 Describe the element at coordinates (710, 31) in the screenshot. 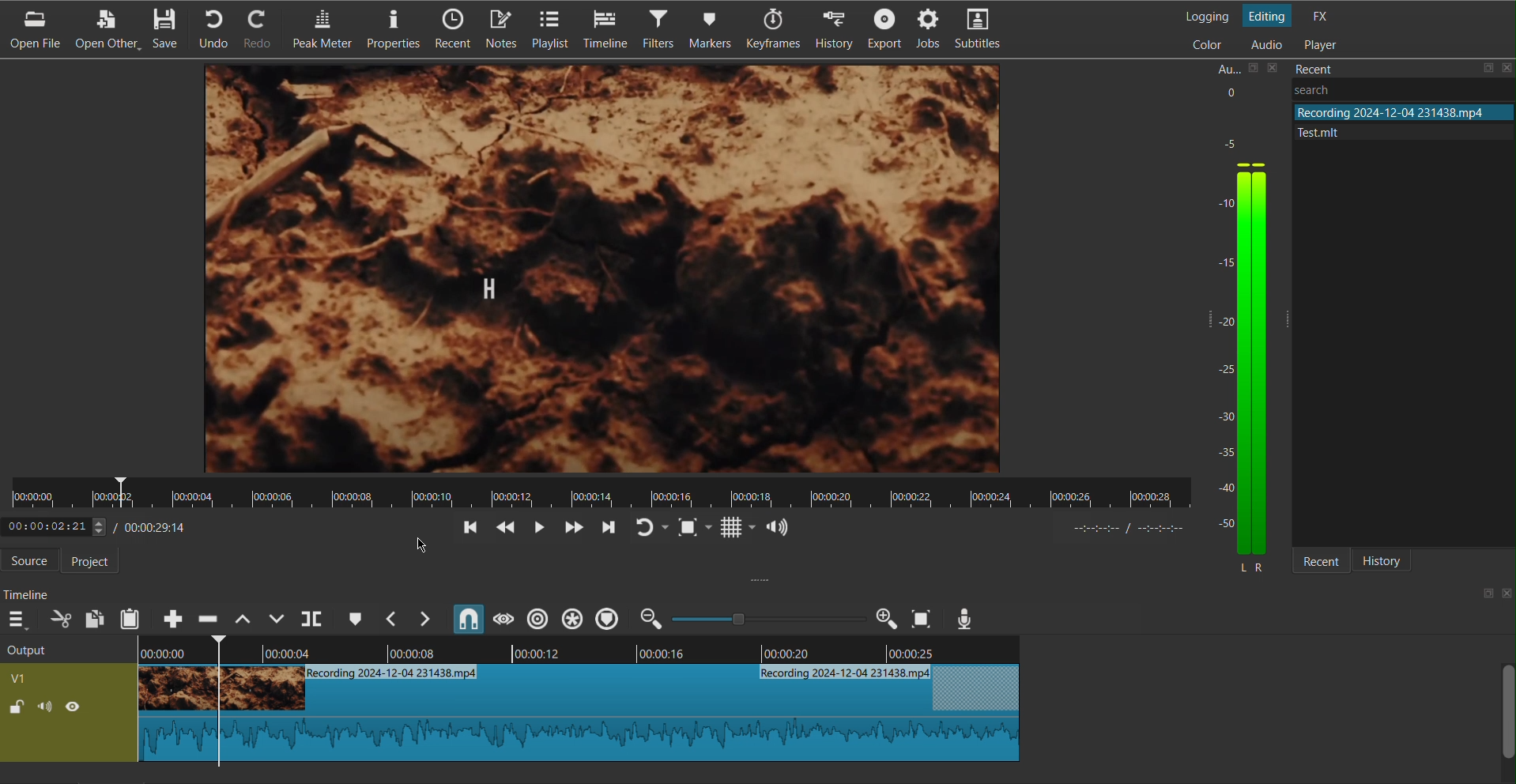

I see `Markers` at that location.